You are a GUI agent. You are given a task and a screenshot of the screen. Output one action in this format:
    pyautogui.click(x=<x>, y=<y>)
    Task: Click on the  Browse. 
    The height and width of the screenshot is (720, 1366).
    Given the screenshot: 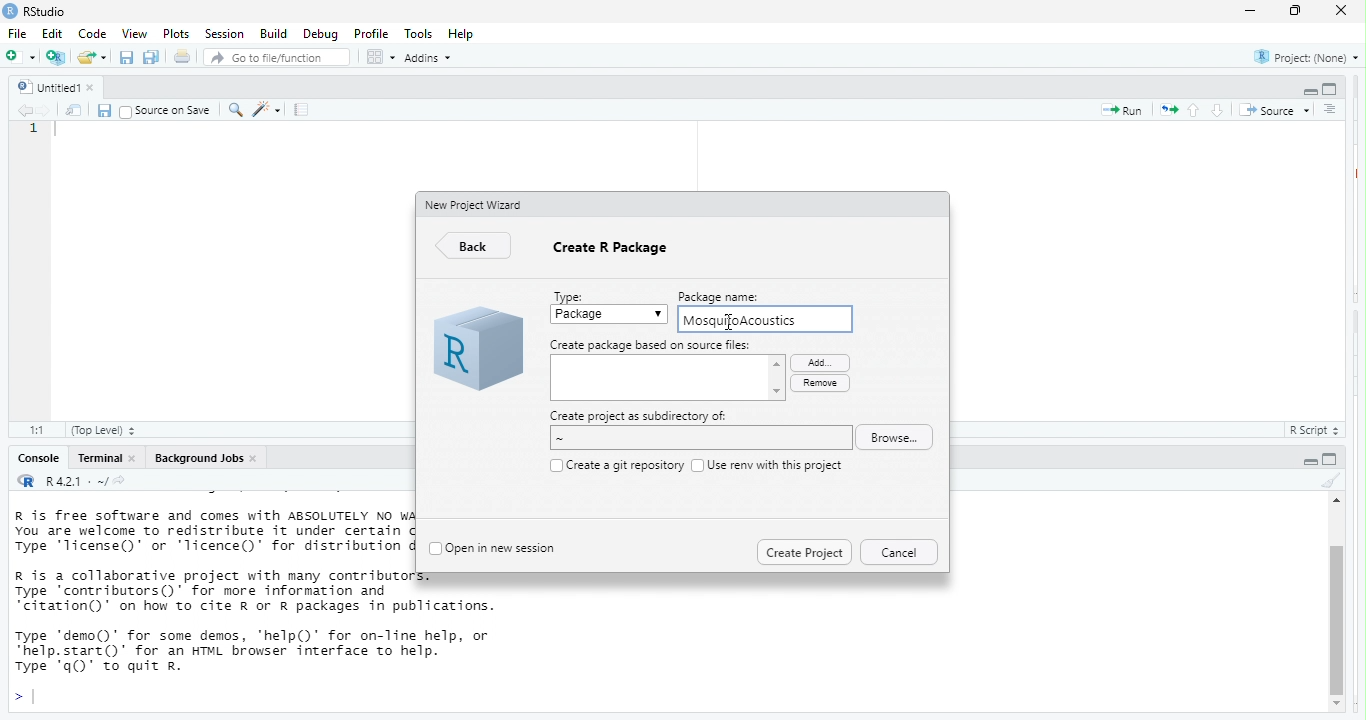 What is the action you would take?
    pyautogui.click(x=899, y=438)
    